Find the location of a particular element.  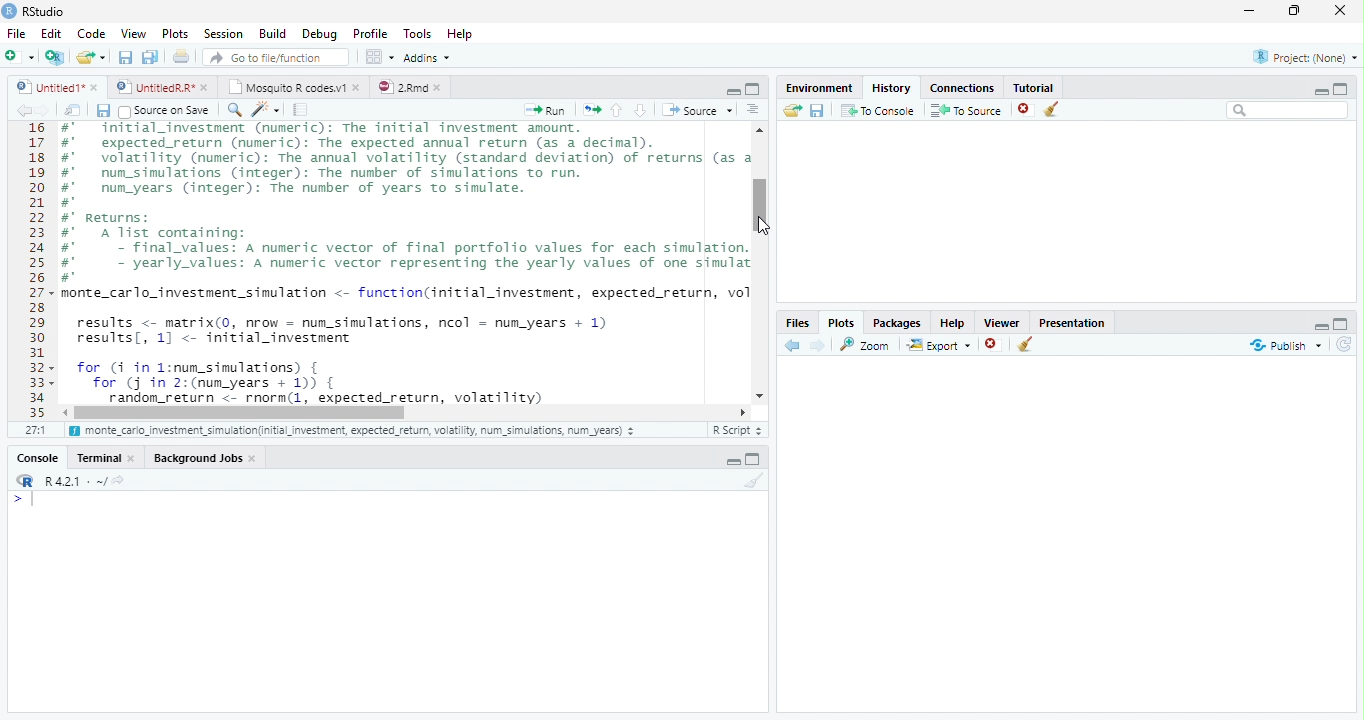

Hide is located at coordinates (732, 461).